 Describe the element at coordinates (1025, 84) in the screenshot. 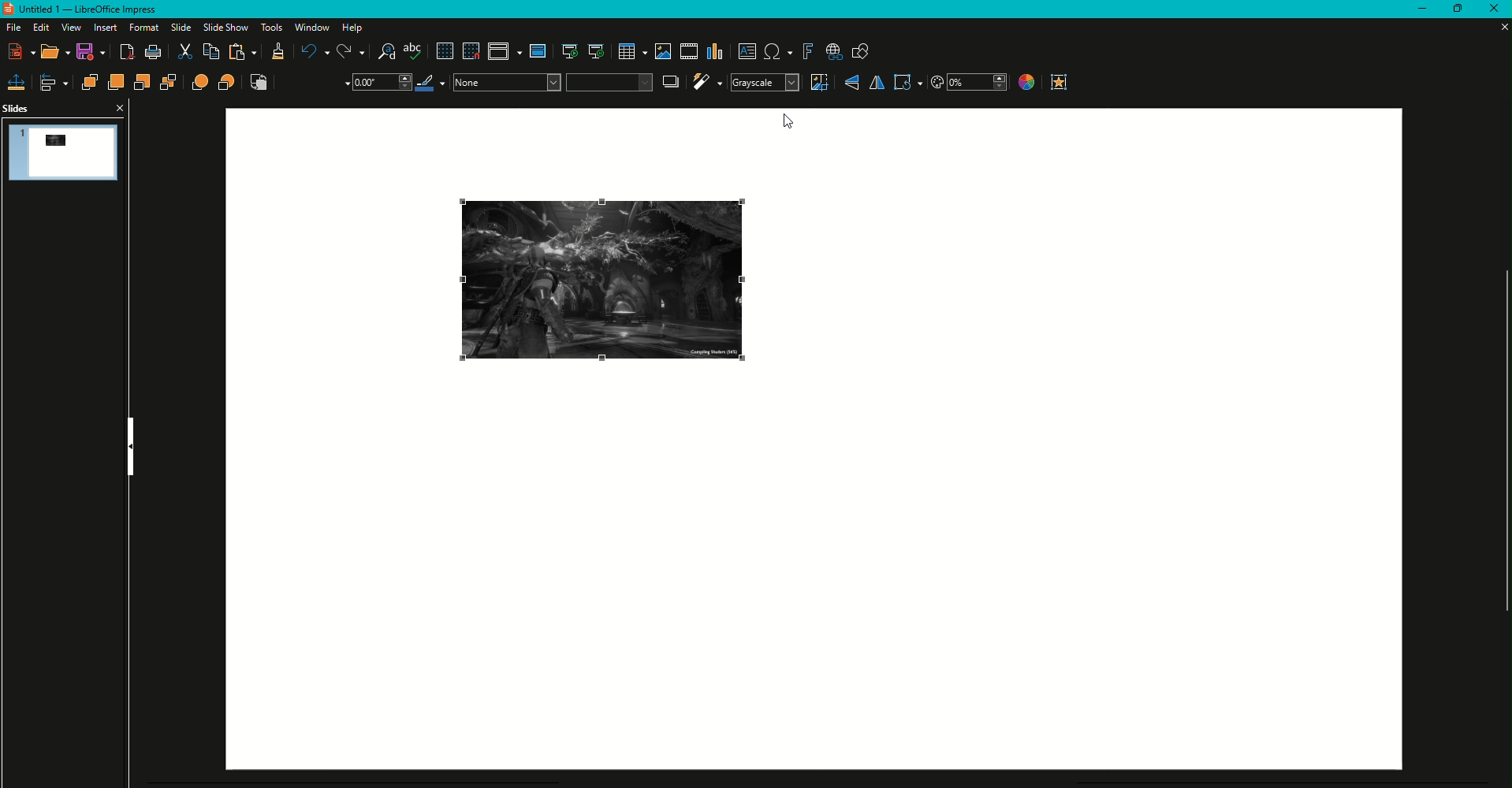

I see `Color` at that location.